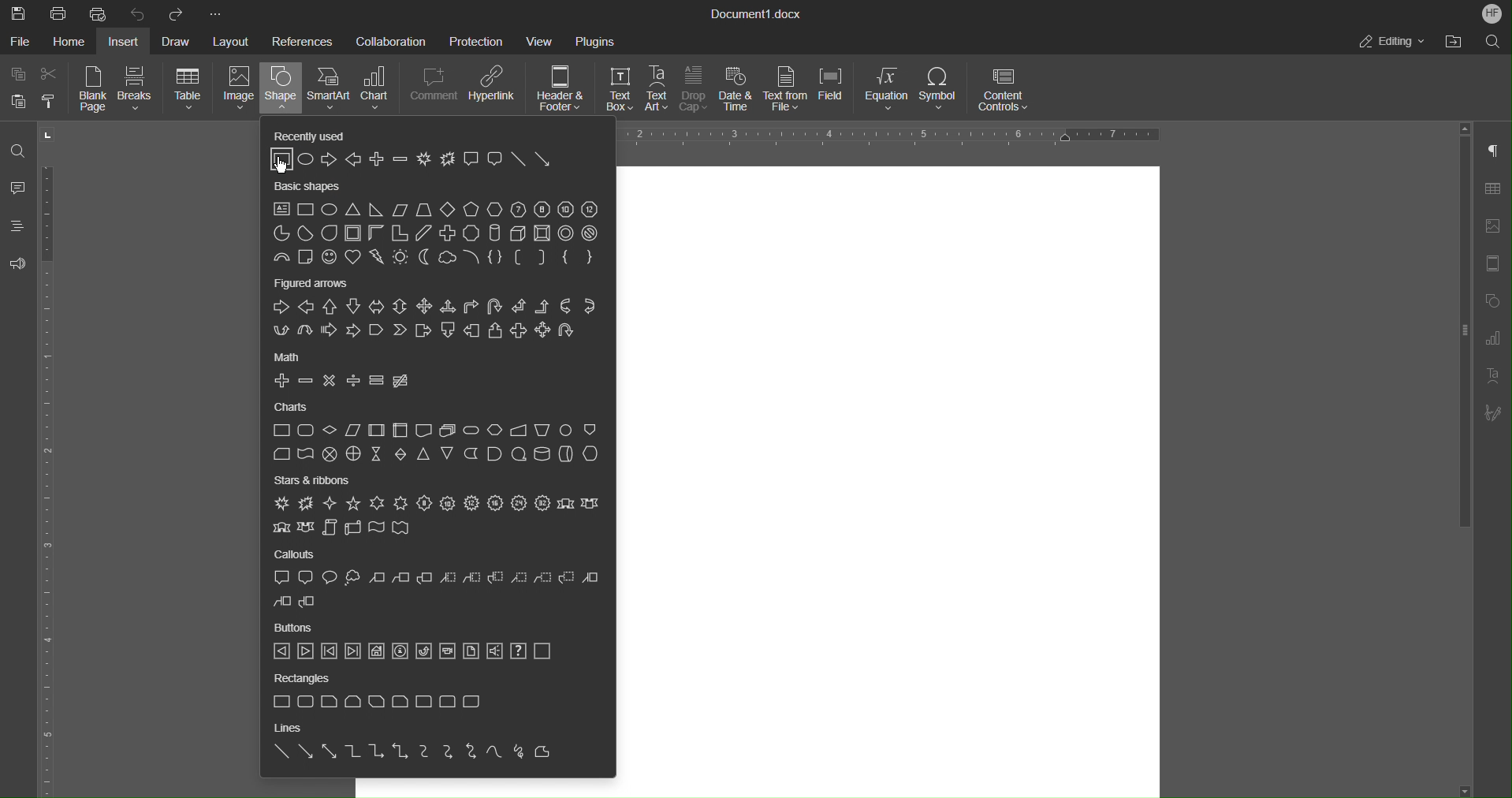  Describe the element at coordinates (738, 91) in the screenshot. I see `Date & Time` at that location.